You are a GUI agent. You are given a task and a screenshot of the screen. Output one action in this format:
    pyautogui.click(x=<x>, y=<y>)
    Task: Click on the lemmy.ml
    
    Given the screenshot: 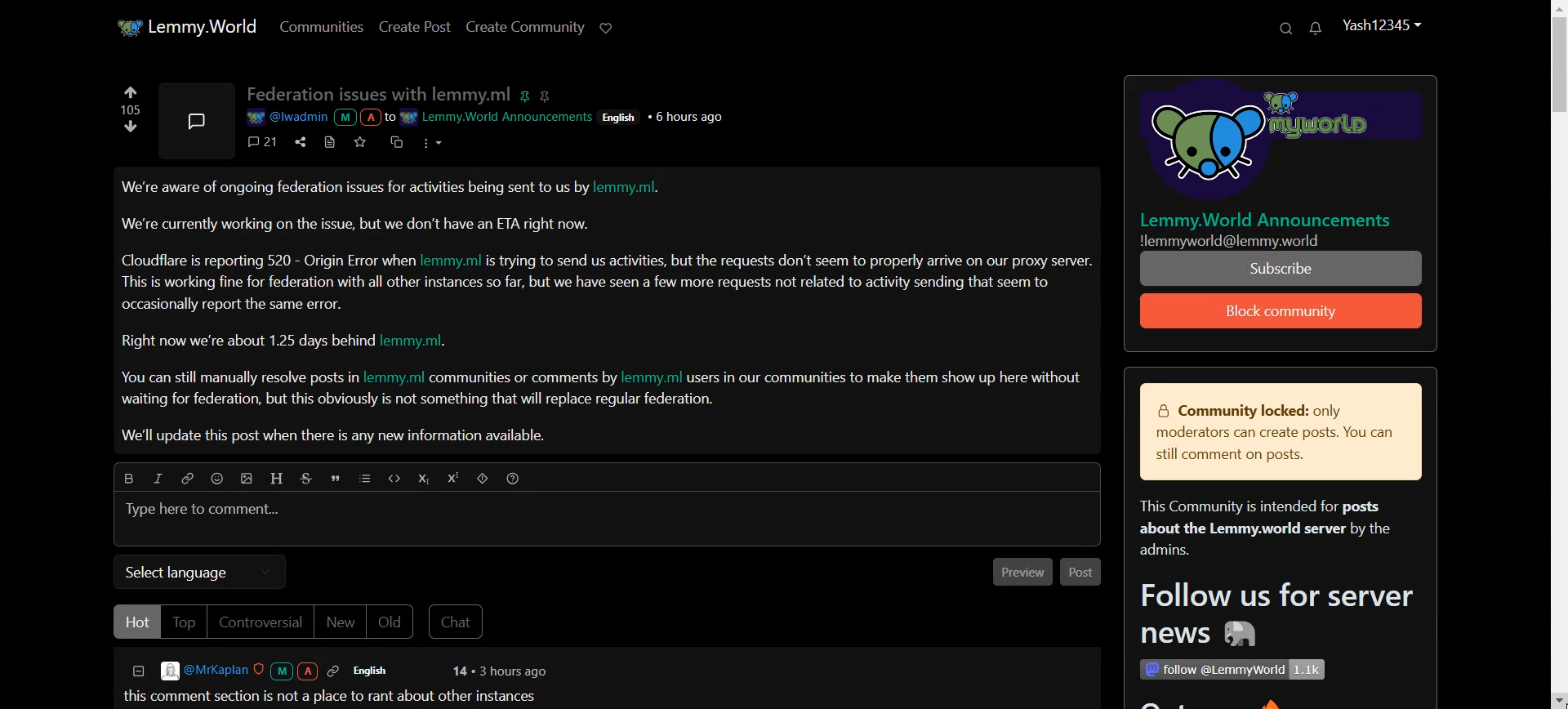 What is the action you would take?
    pyautogui.click(x=395, y=378)
    